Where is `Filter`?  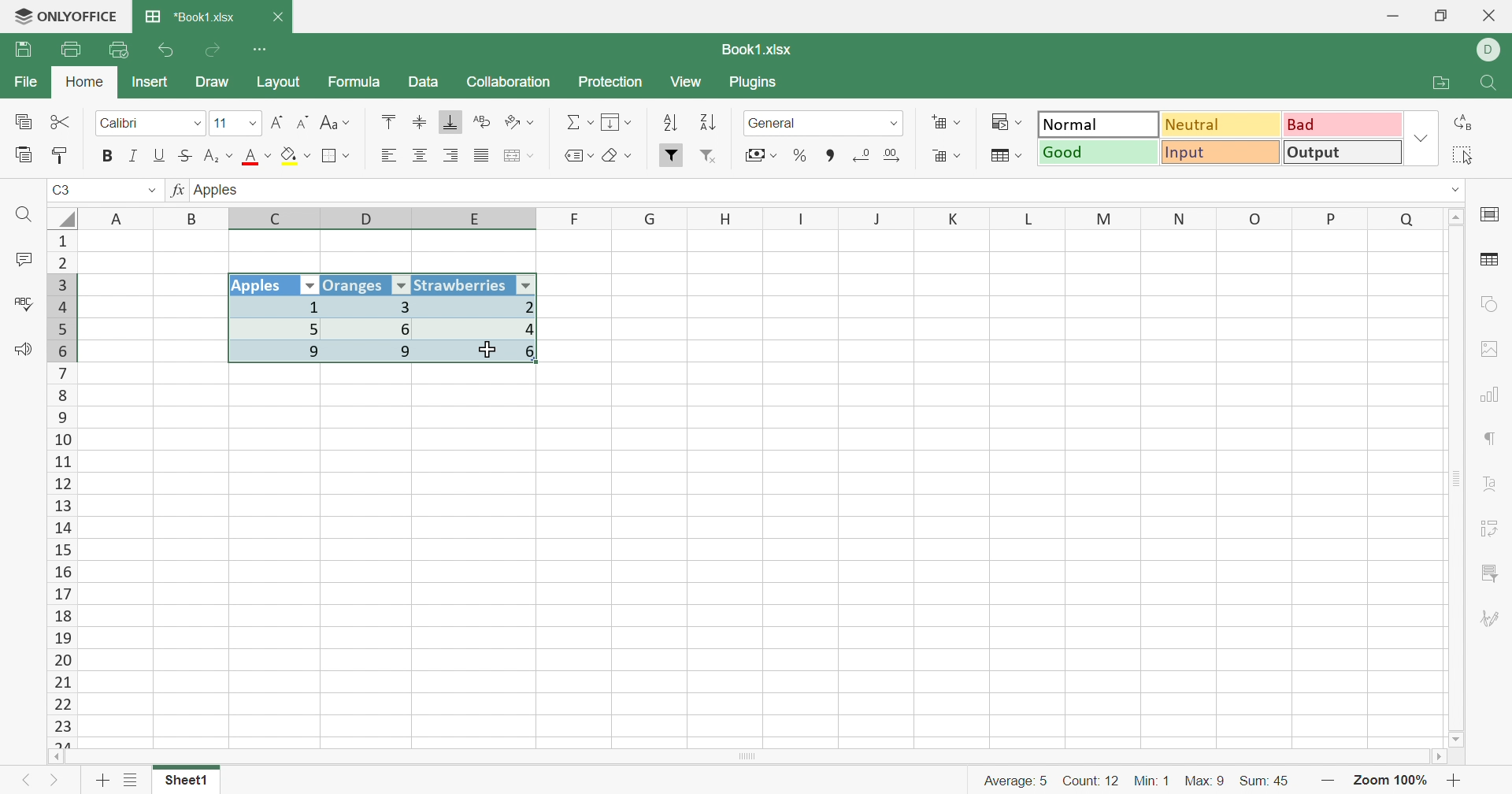 Filter is located at coordinates (672, 155).